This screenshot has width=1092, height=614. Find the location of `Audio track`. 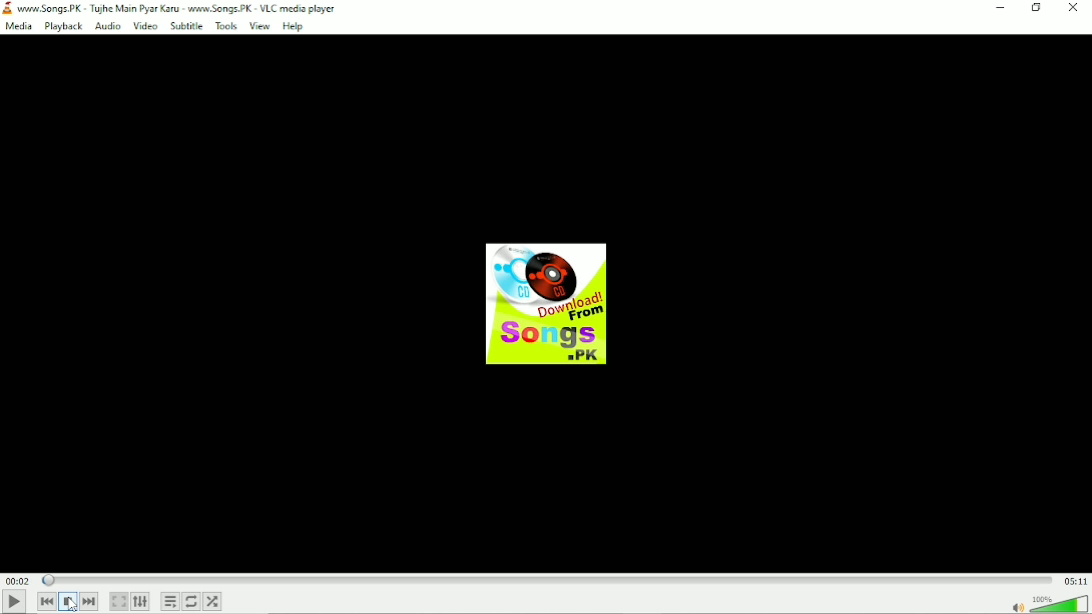

Audio track is located at coordinates (545, 303).